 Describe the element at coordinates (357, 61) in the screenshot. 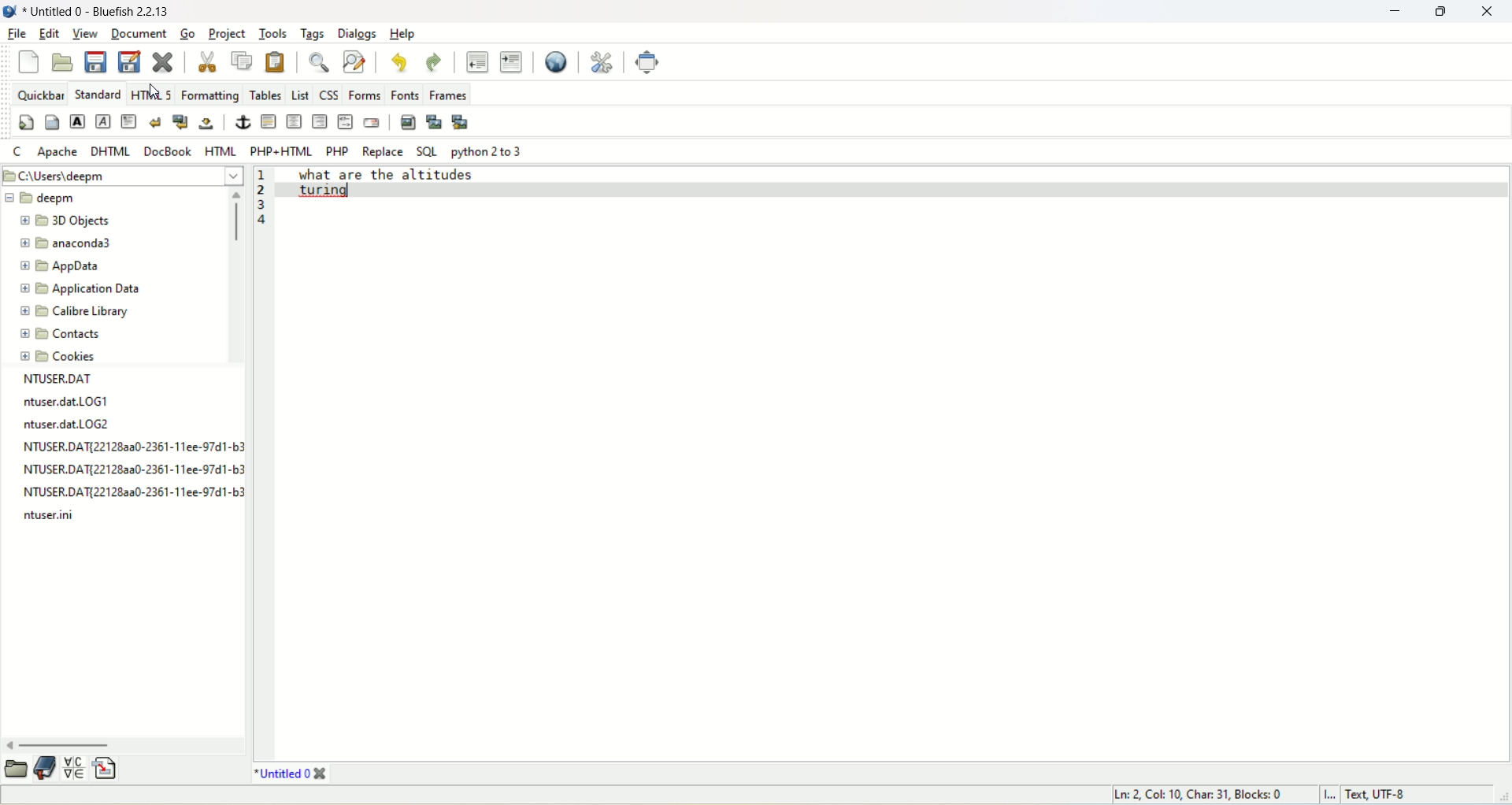

I see `advanced find and replace` at that location.